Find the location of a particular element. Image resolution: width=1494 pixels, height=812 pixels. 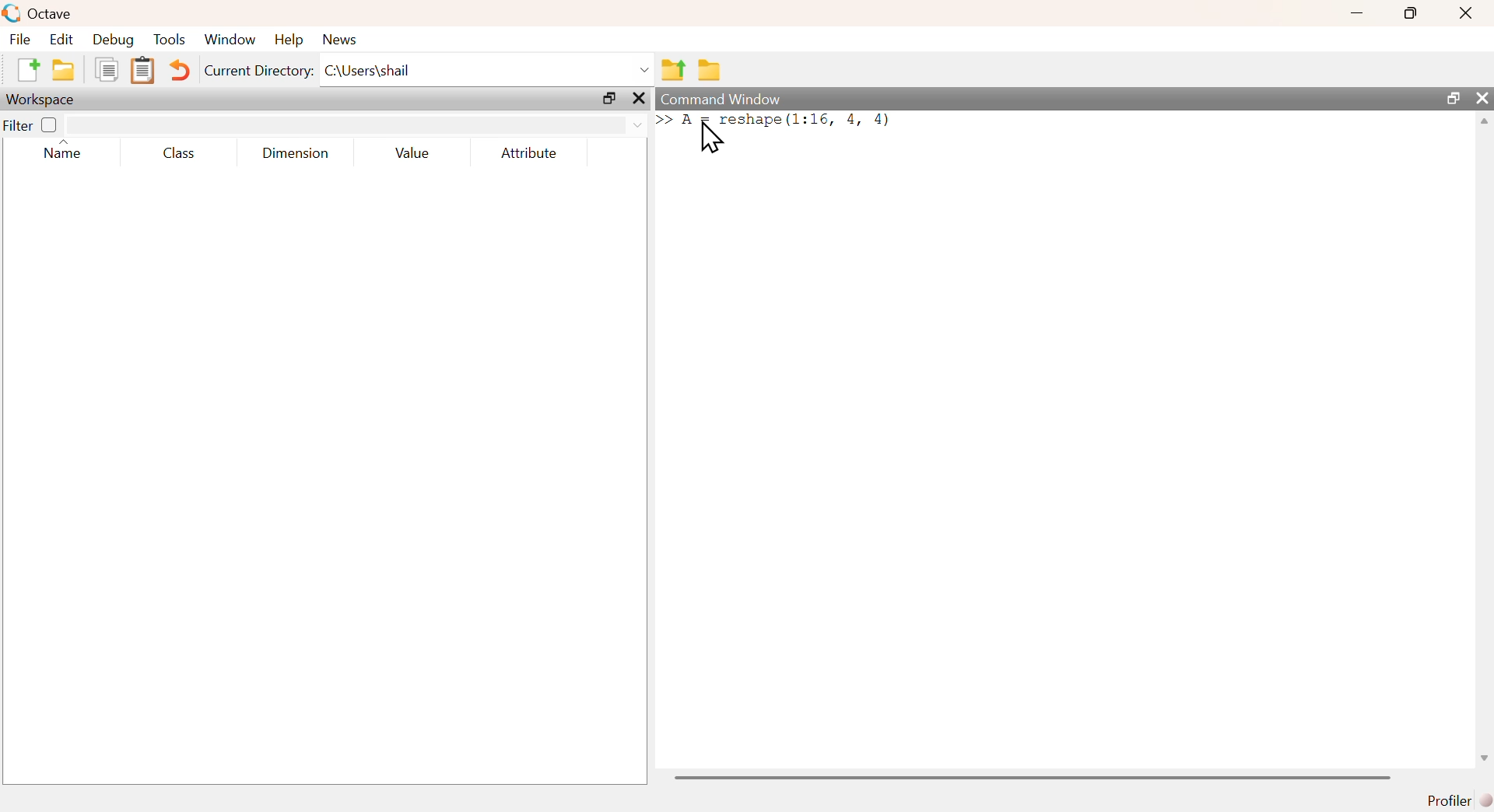

copy is located at coordinates (108, 71).